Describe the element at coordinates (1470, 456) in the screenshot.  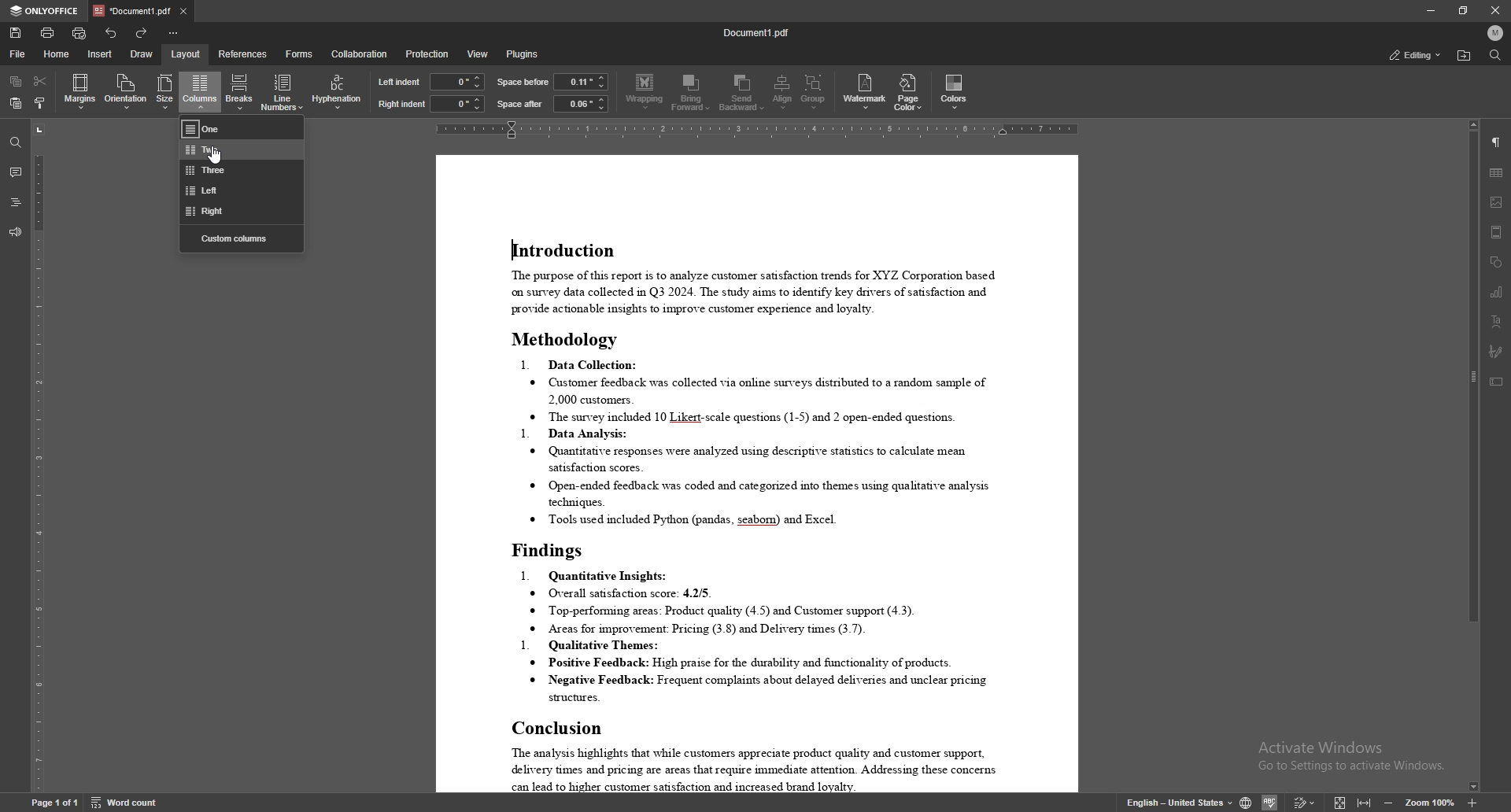
I see `scroll bar` at that location.